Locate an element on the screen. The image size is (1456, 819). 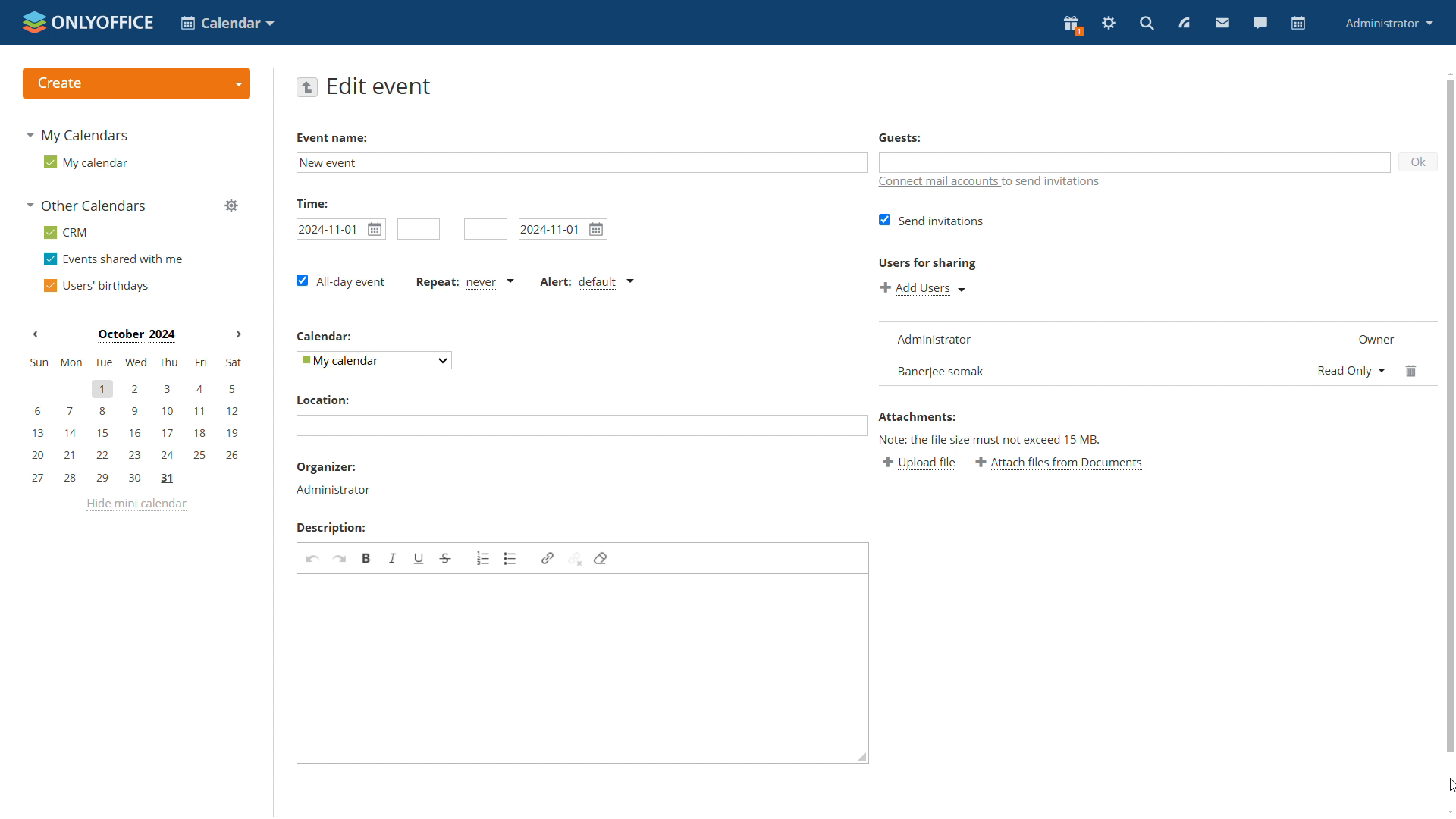
delete format is located at coordinates (601, 560).